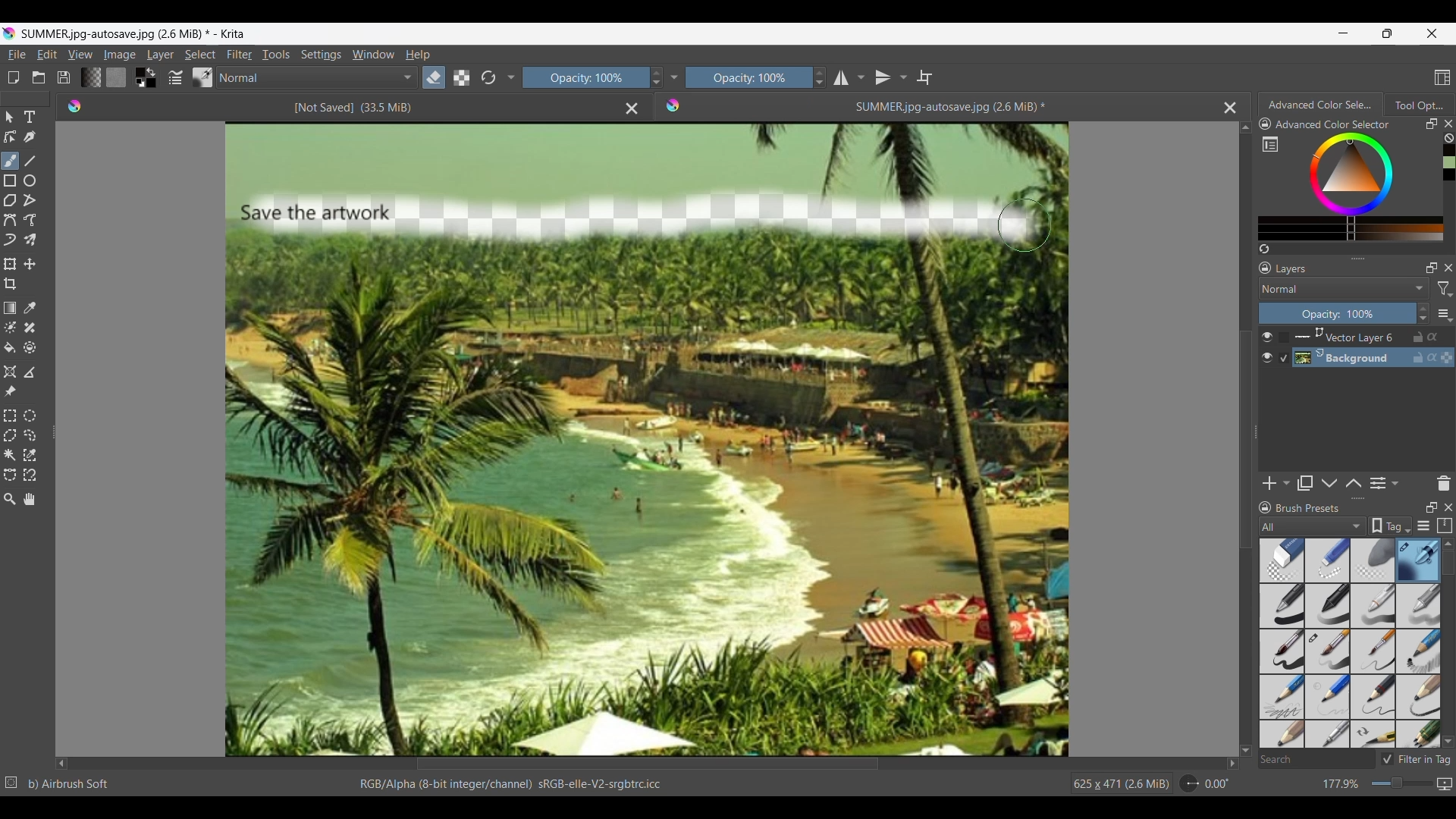 Image resolution: width=1456 pixels, height=819 pixels. Describe the element at coordinates (13, 77) in the screenshot. I see `Open new document` at that location.